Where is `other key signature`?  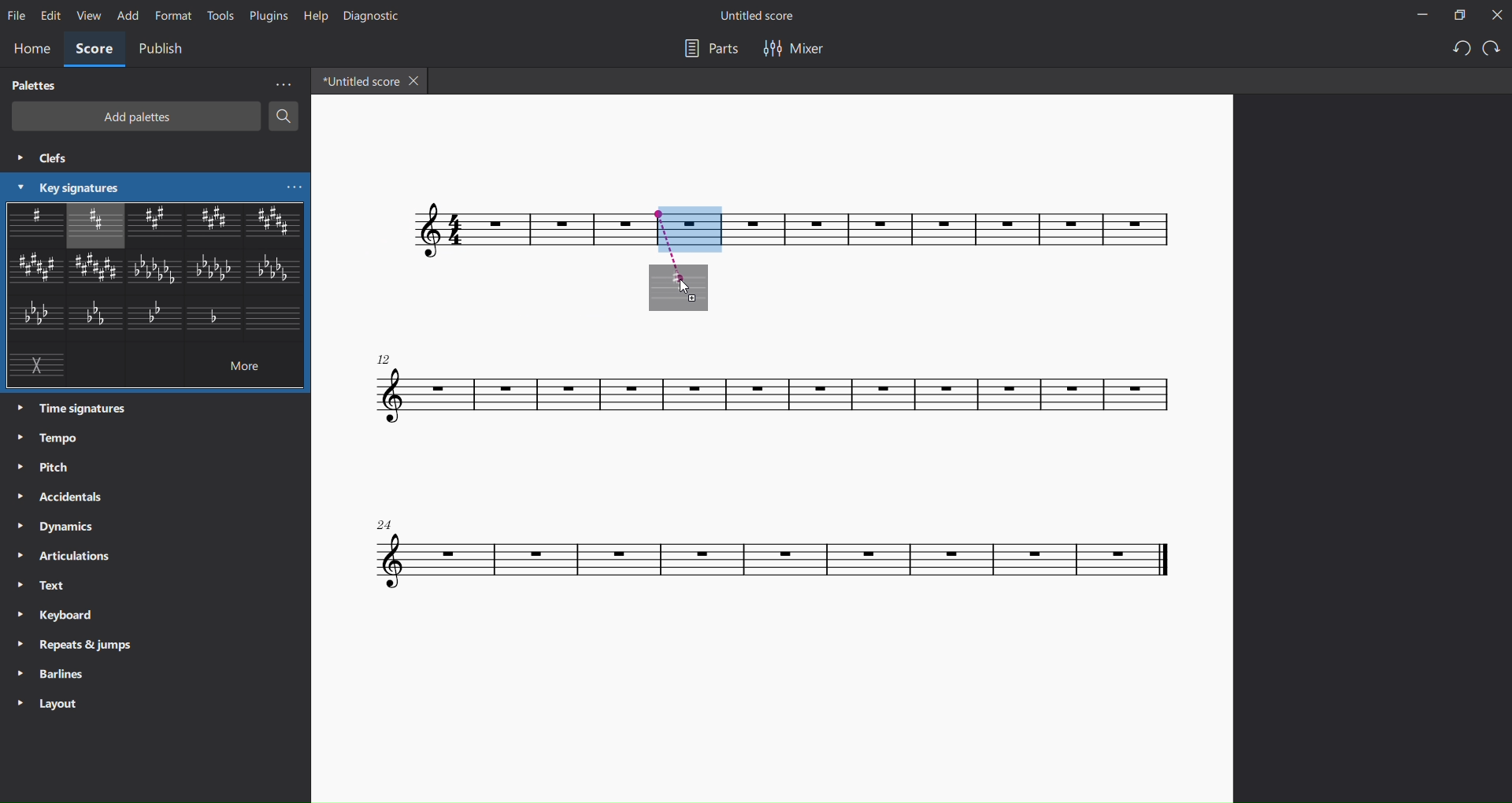 other key signature is located at coordinates (215, 319).